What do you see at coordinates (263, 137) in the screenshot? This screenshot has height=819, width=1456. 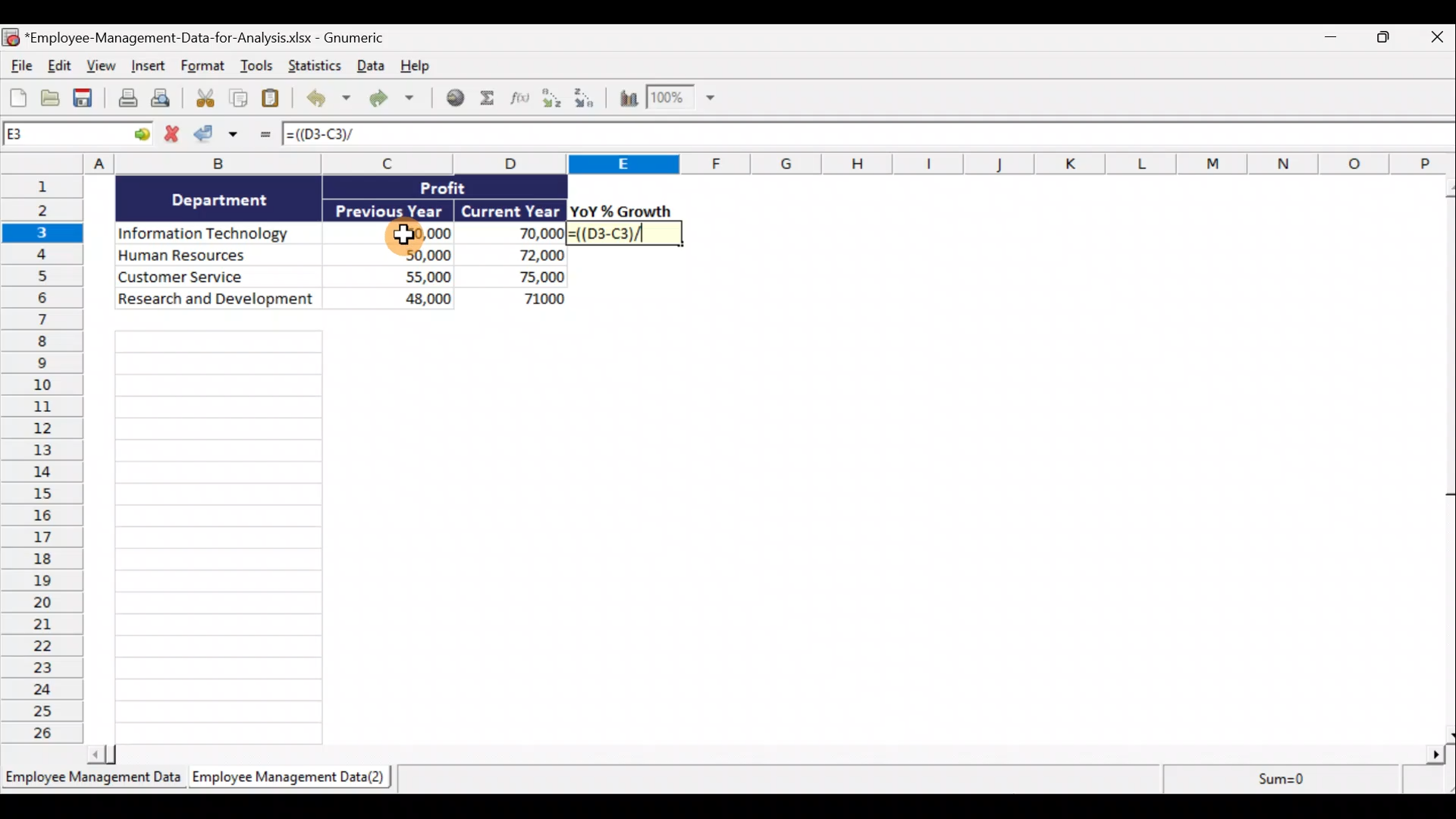 I see `Enter formula` at bounding box center [263, 137].